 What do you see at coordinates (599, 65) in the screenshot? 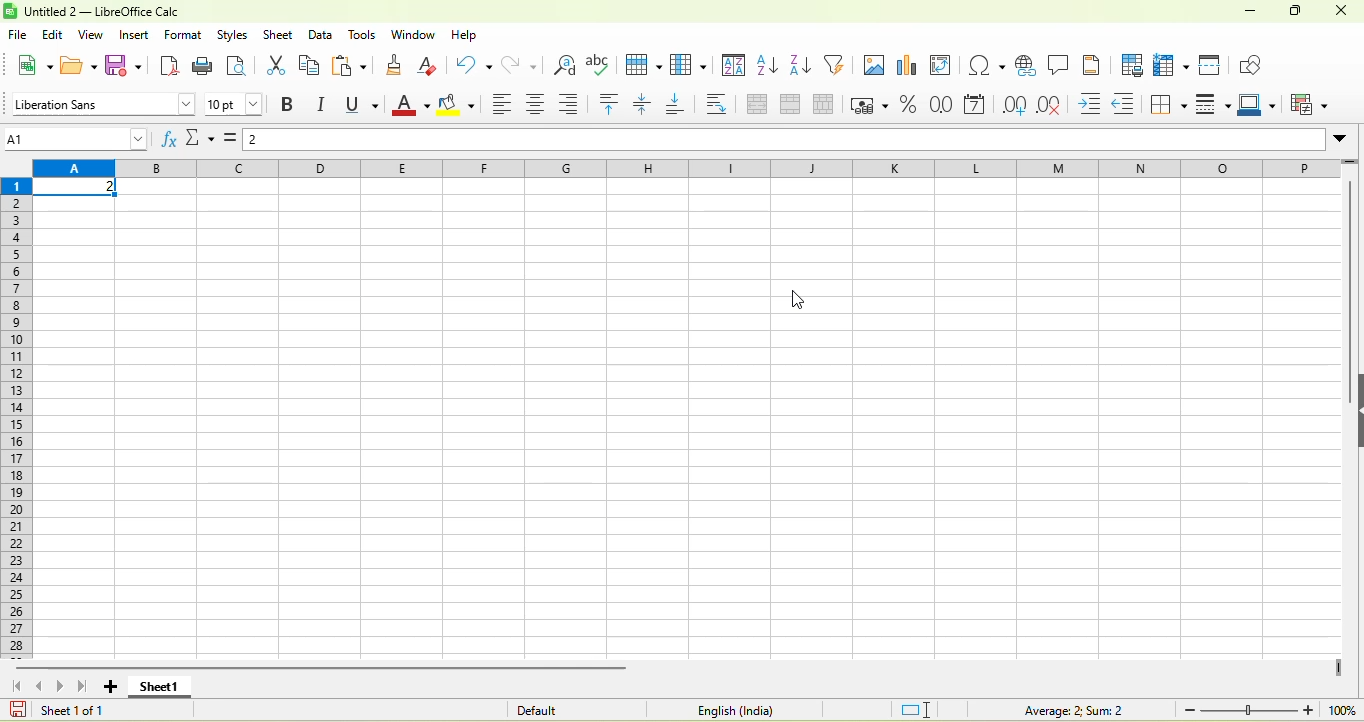
I see `spelling` at bounding box center [599, 65].